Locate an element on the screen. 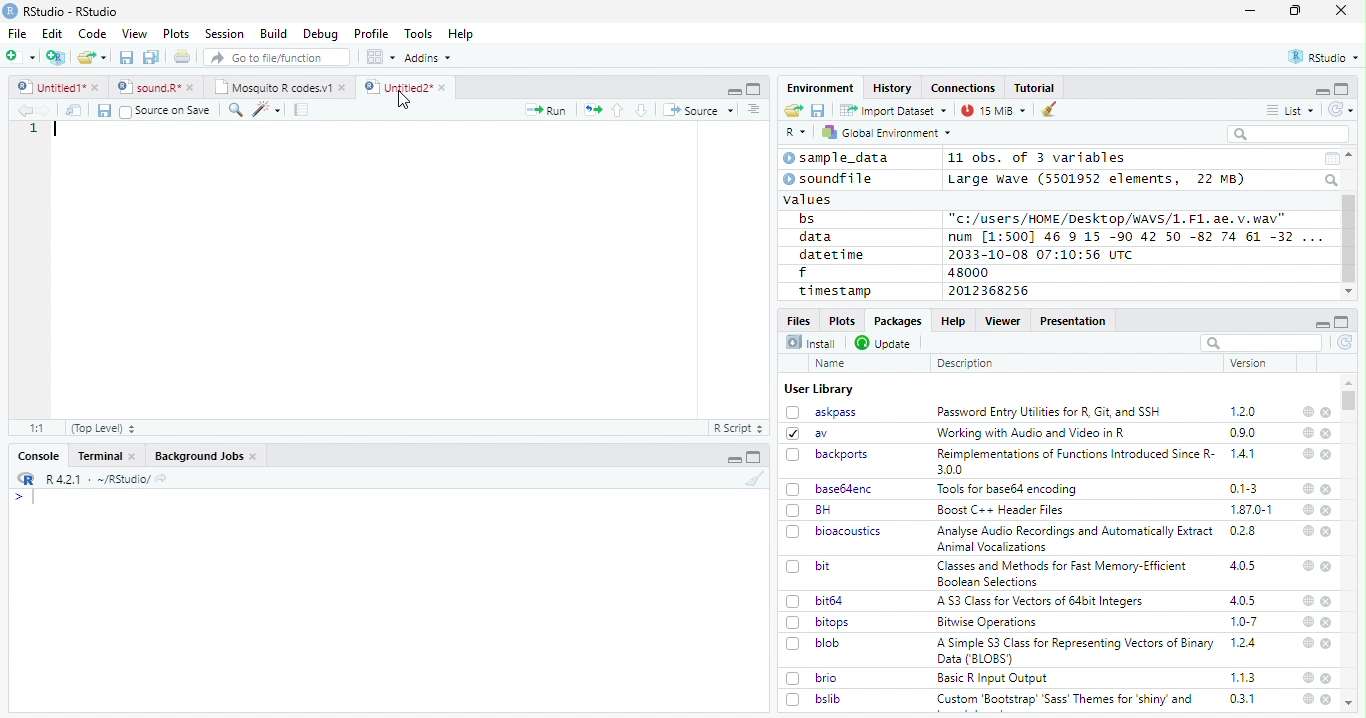  List is located at coordinates (1291, 111).